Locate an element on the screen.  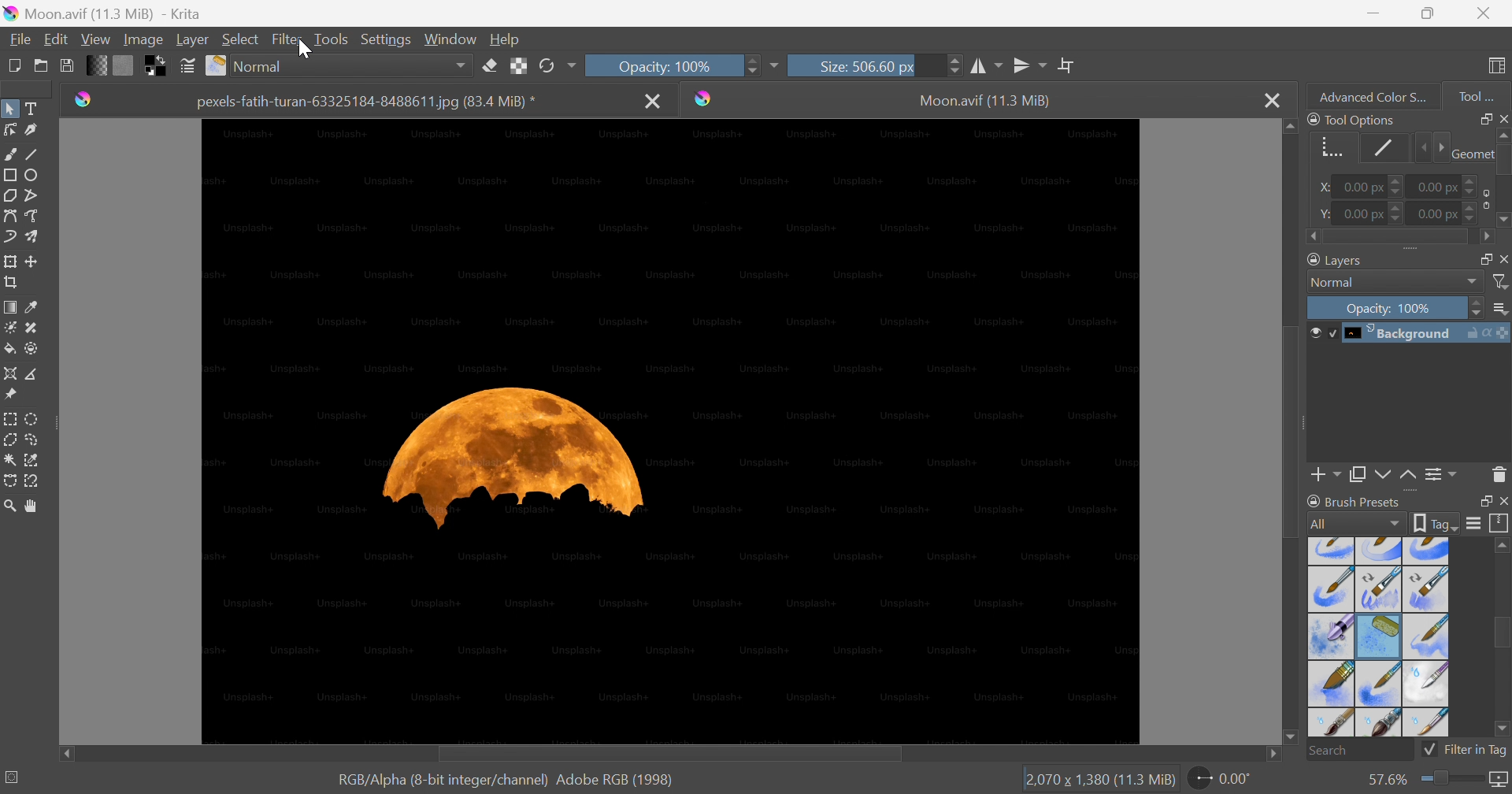
0.00 px is located at coordinates (1451, 213).